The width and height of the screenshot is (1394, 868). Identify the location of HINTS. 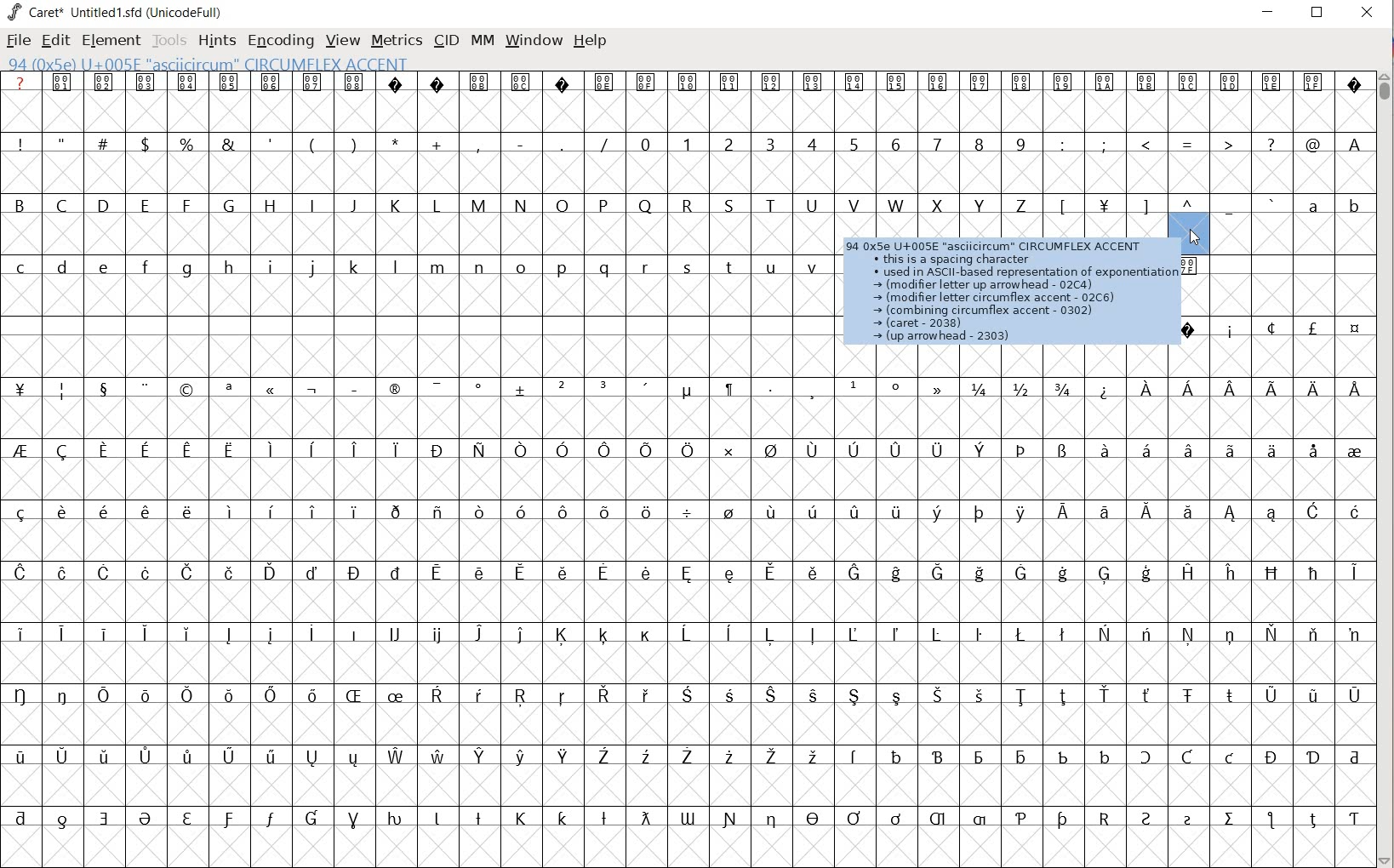
(217, 40).